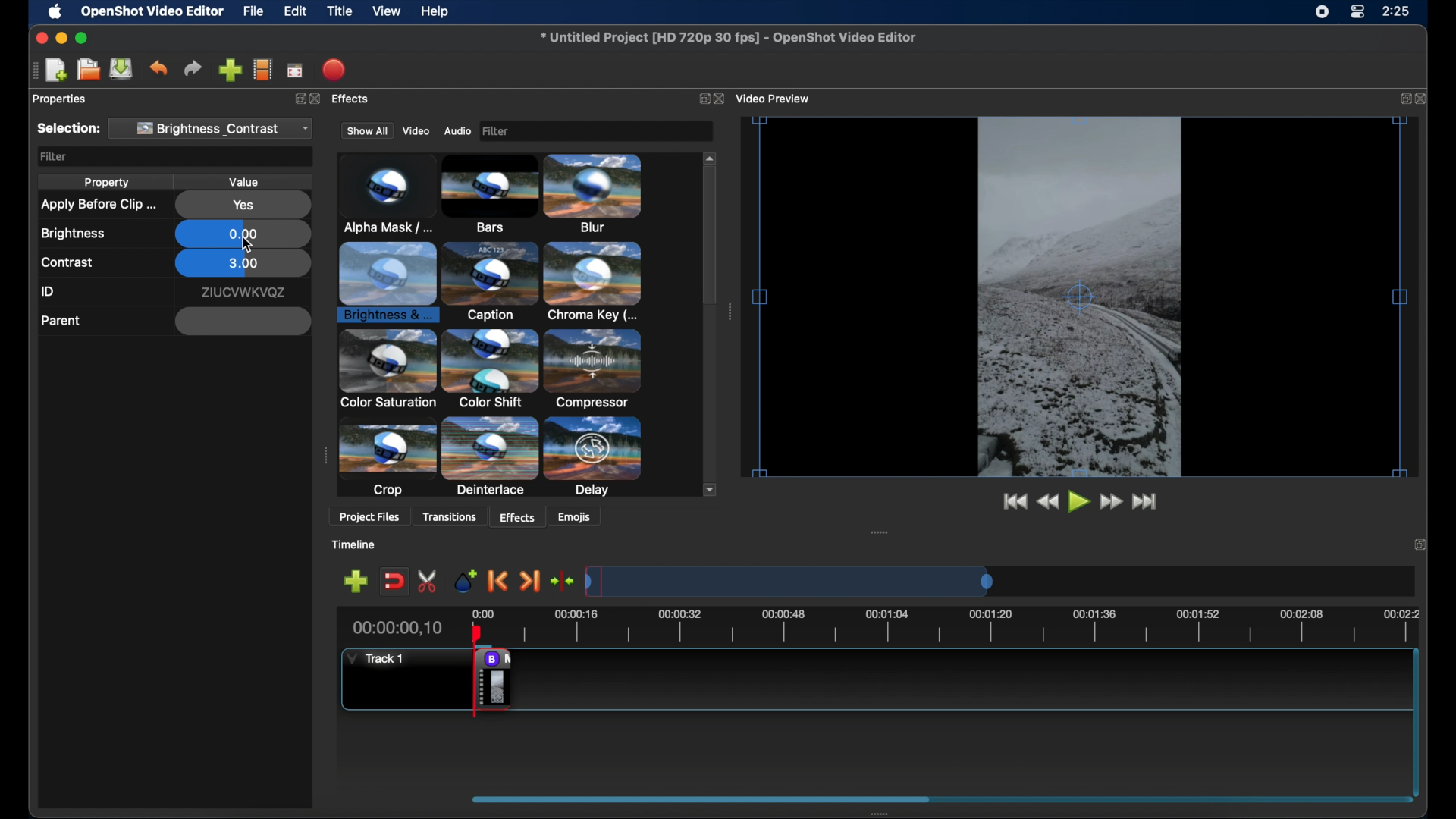 The image size is (1456, 819). What do you see at coordinates (873, 814) in the screenshot?
I see `drag handle` at bounding box center [873, 814].